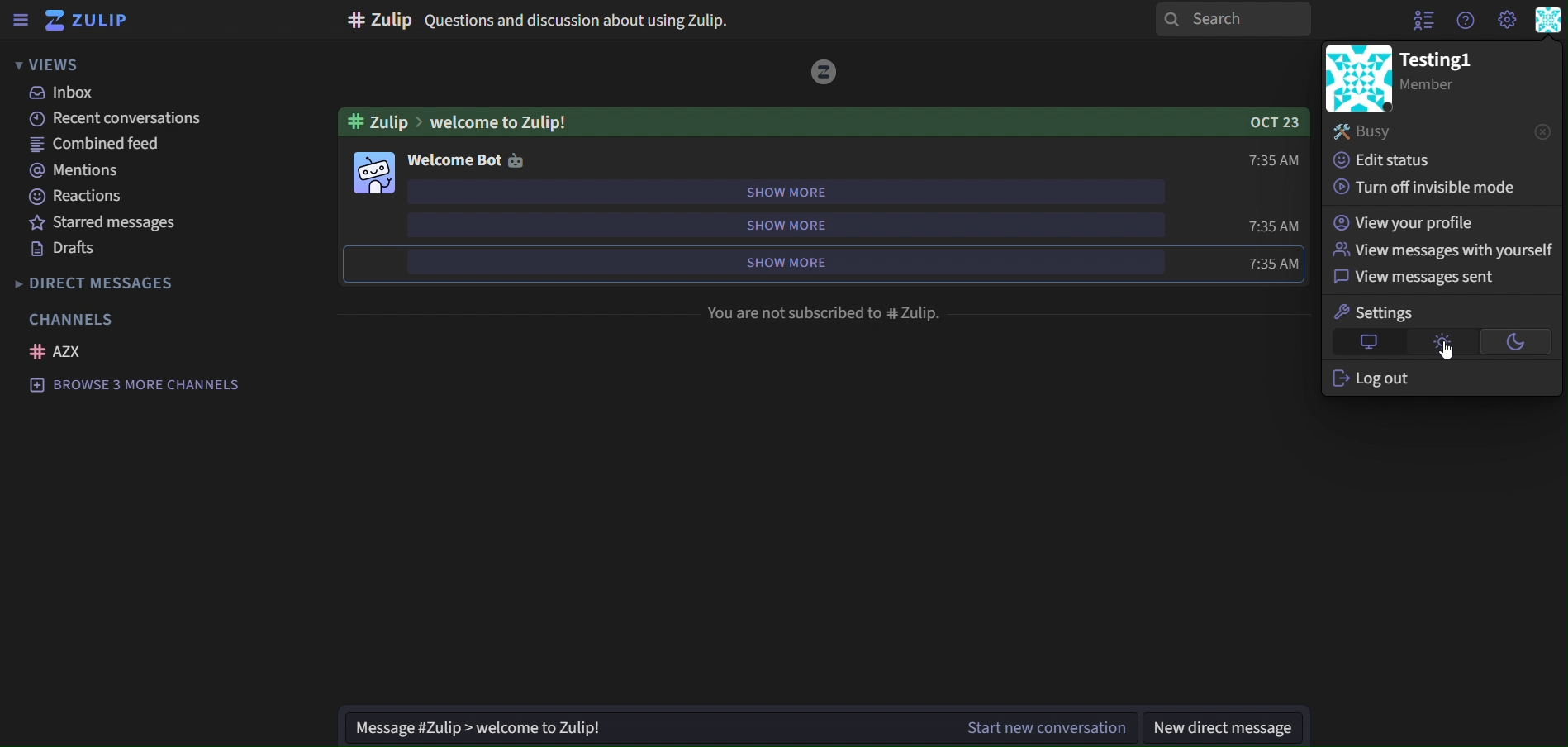 Image resolution: width=1568 pixels, height=747 pixels. What do you see at coordinates (1419, 20) in the screenshot?
I see `hide user list` at bounding box center [1419, 20].